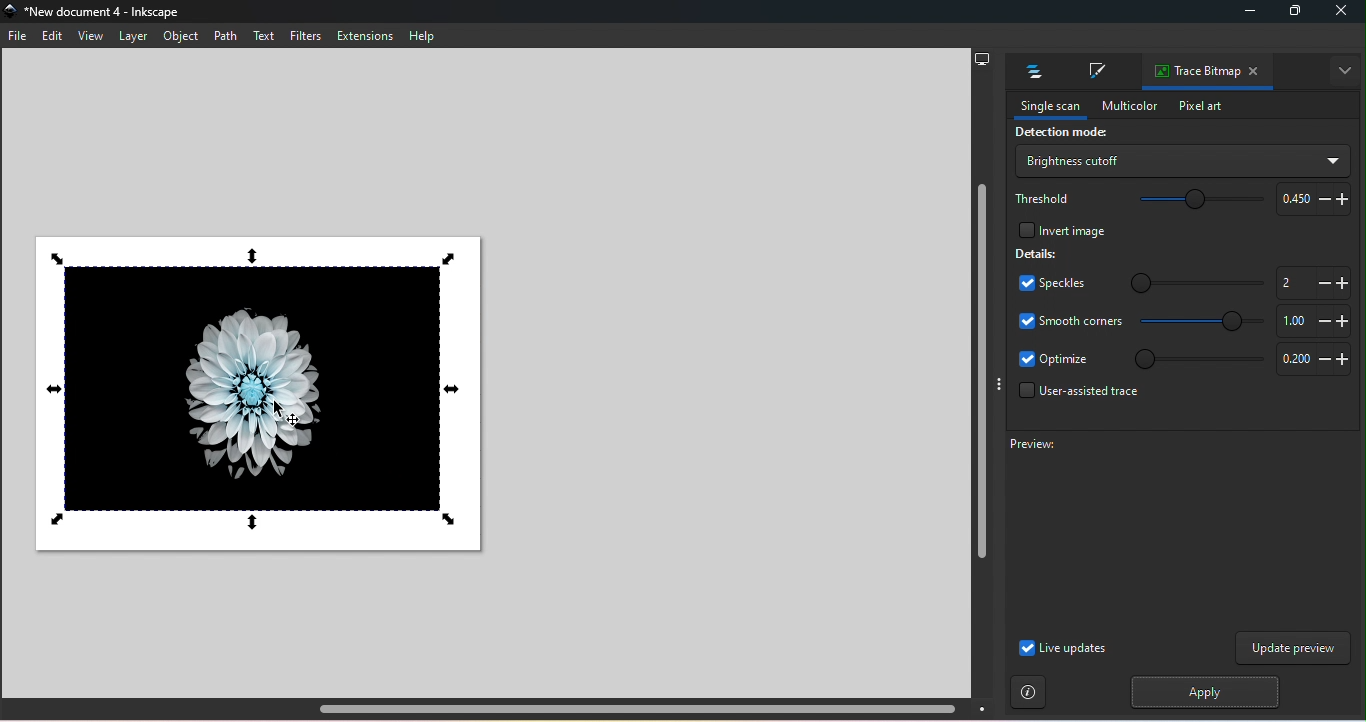  Describe the element at coordinates (1309, 282) in the screenshot. I see `Increase or decrease slide bar` at that location.